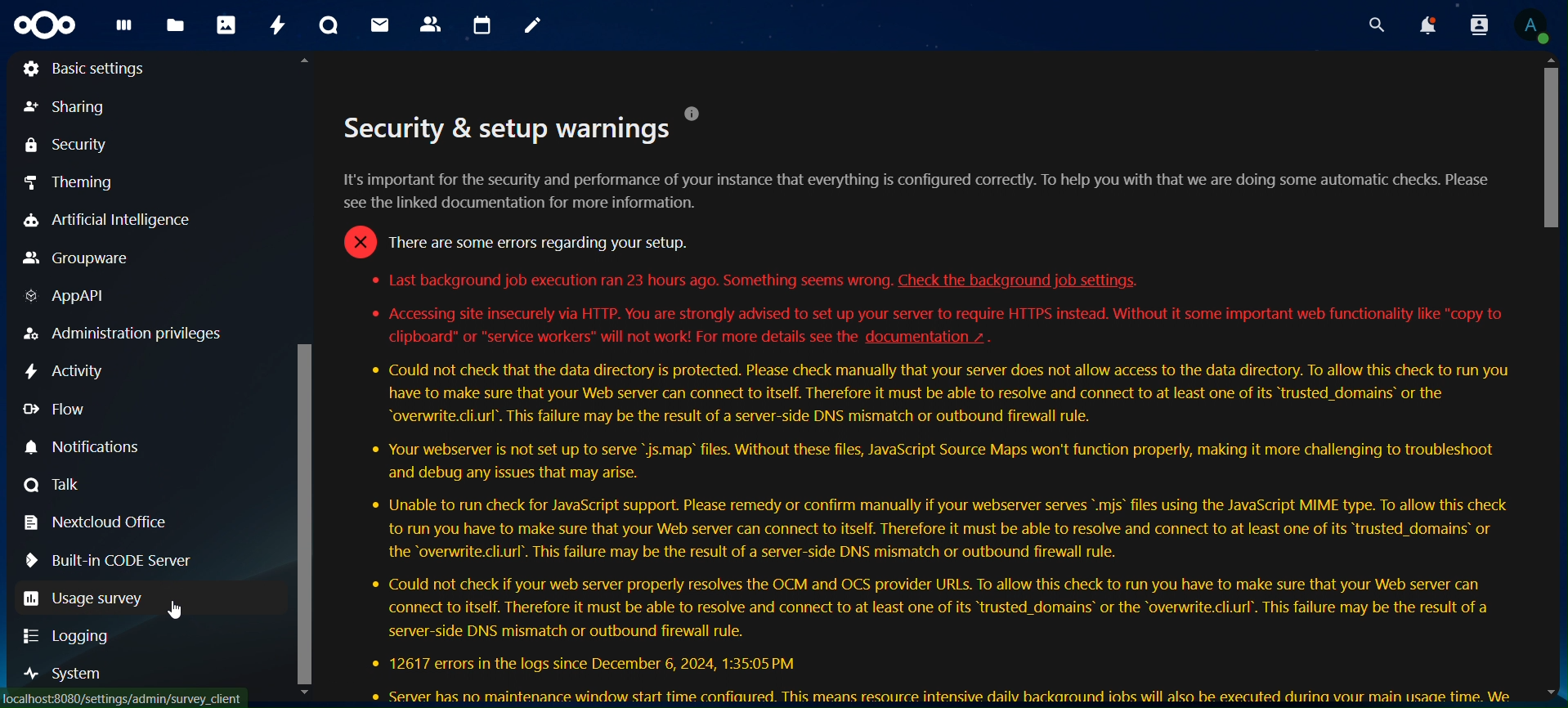 The width and height of the screenshot is (1568, 708). I want to click on mail, so click(380, 25).